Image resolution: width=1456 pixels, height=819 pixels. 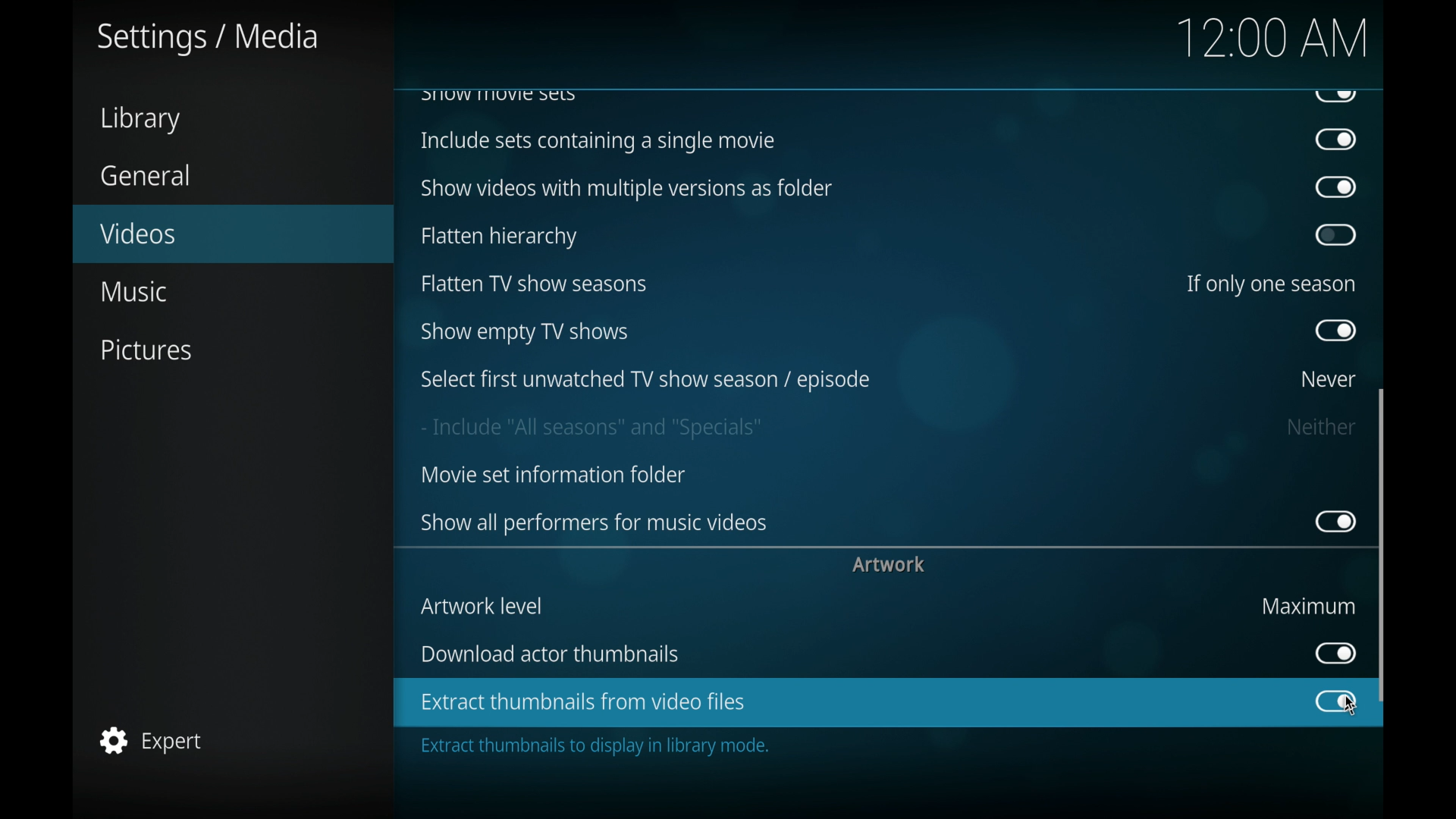 I want to click on obscure button, so click(x=1335, y=96).